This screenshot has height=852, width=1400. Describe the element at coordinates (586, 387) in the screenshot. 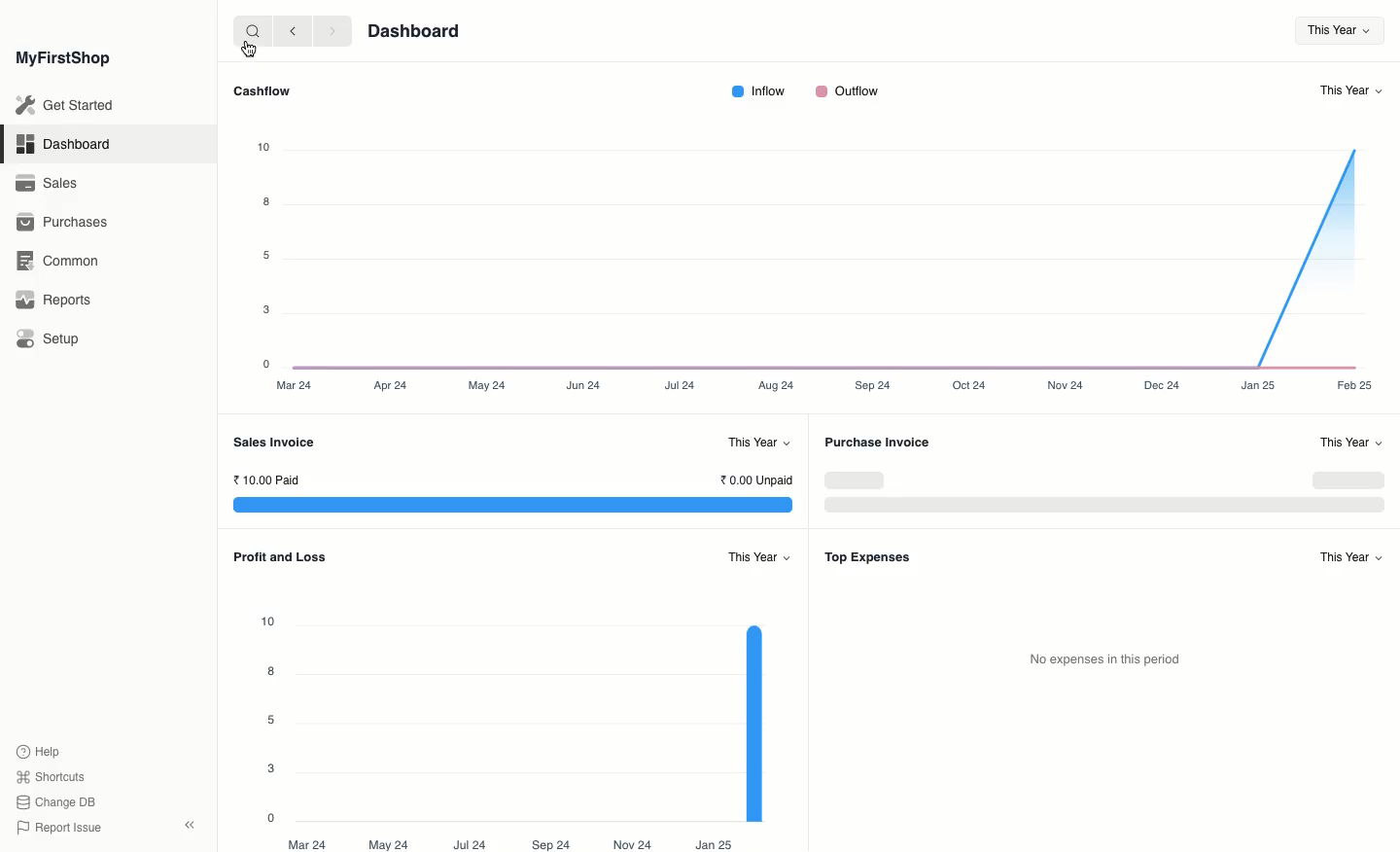

I see `Jun 24` at that location.